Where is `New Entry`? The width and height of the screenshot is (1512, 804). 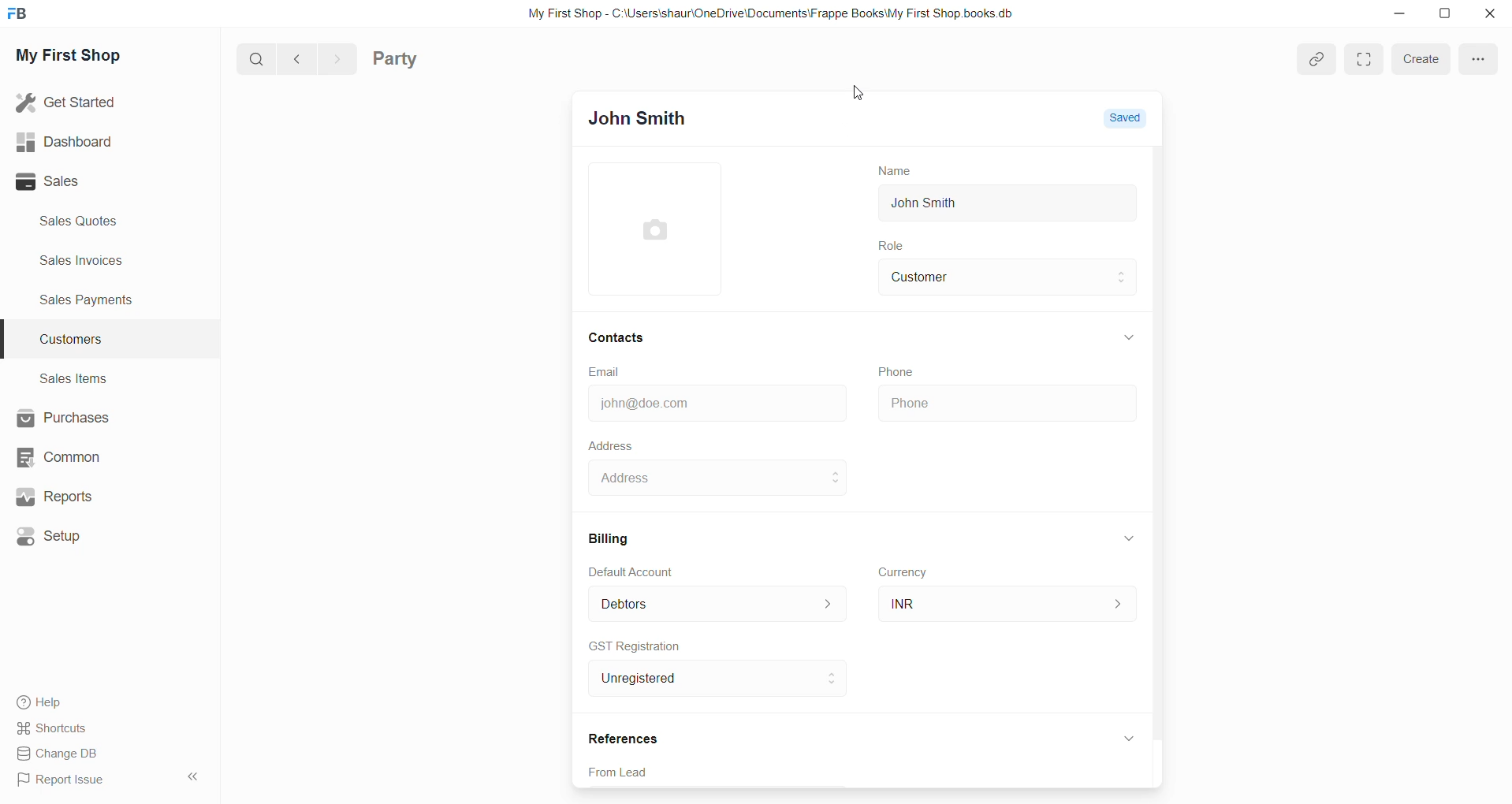
New Entry is located at coordinates (648, 120).